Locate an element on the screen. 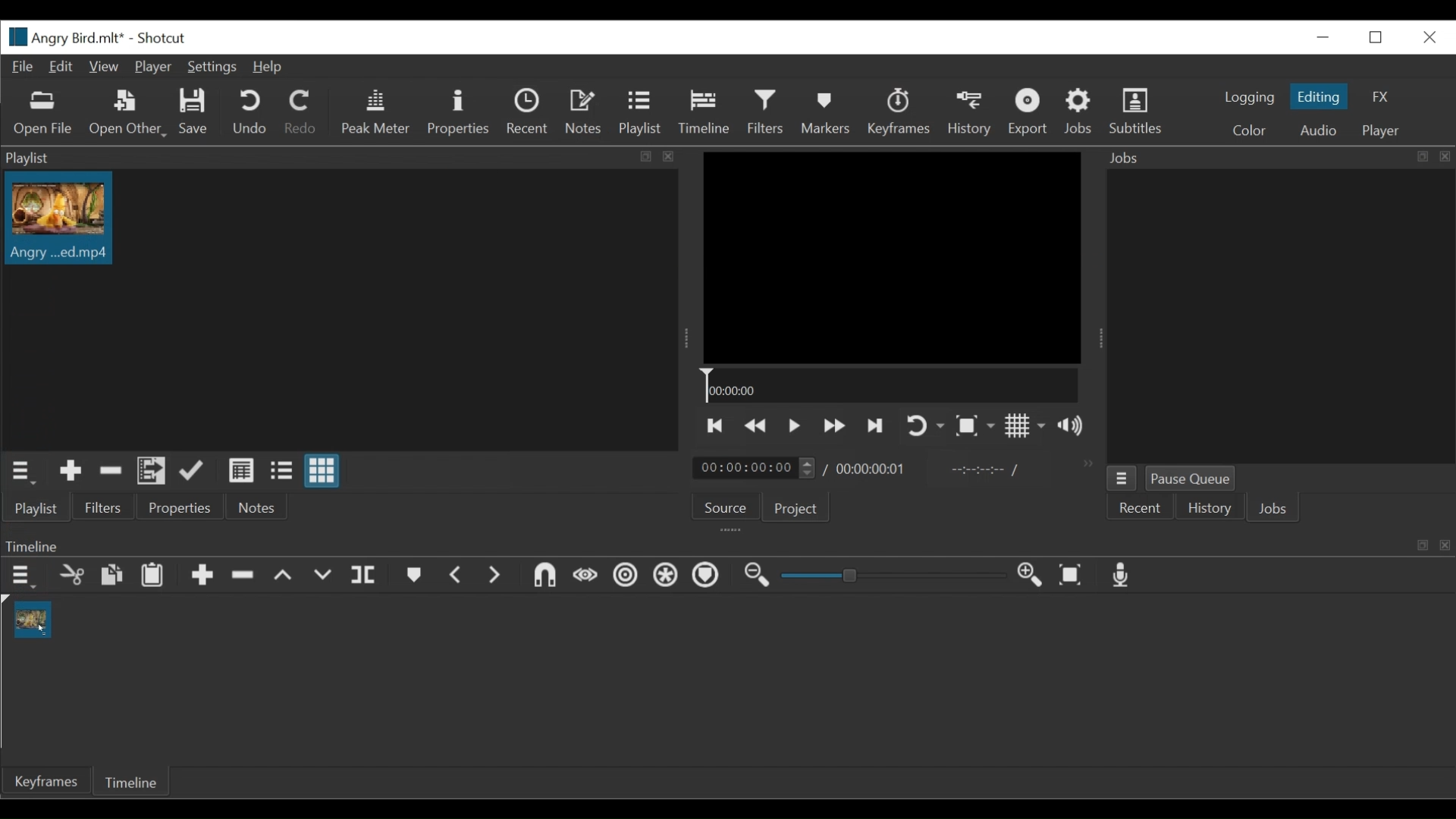  Subtitles is located at coordinates (1136, 111).